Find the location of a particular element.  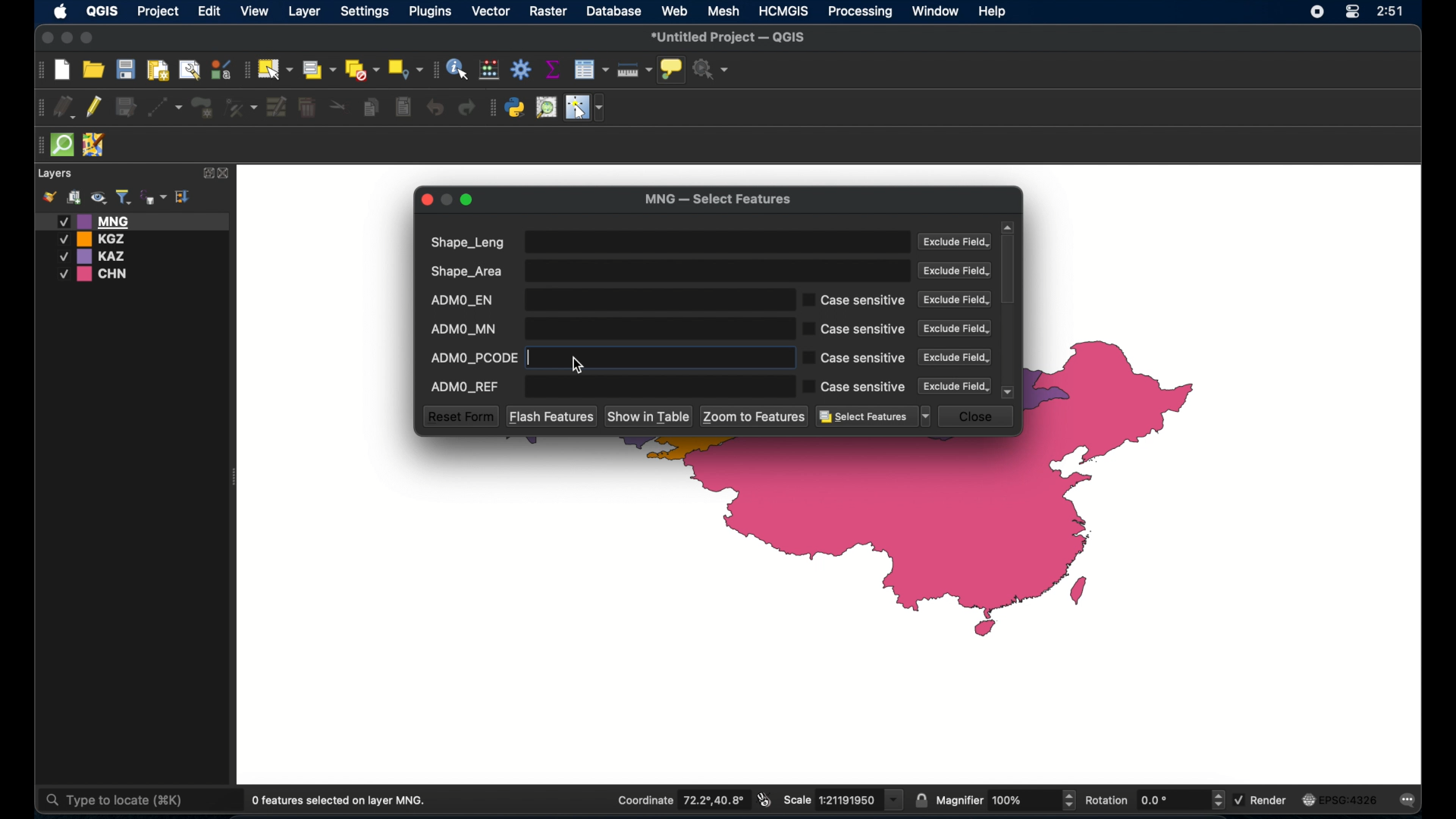

case sensitive is located at coordinates (855, 300).